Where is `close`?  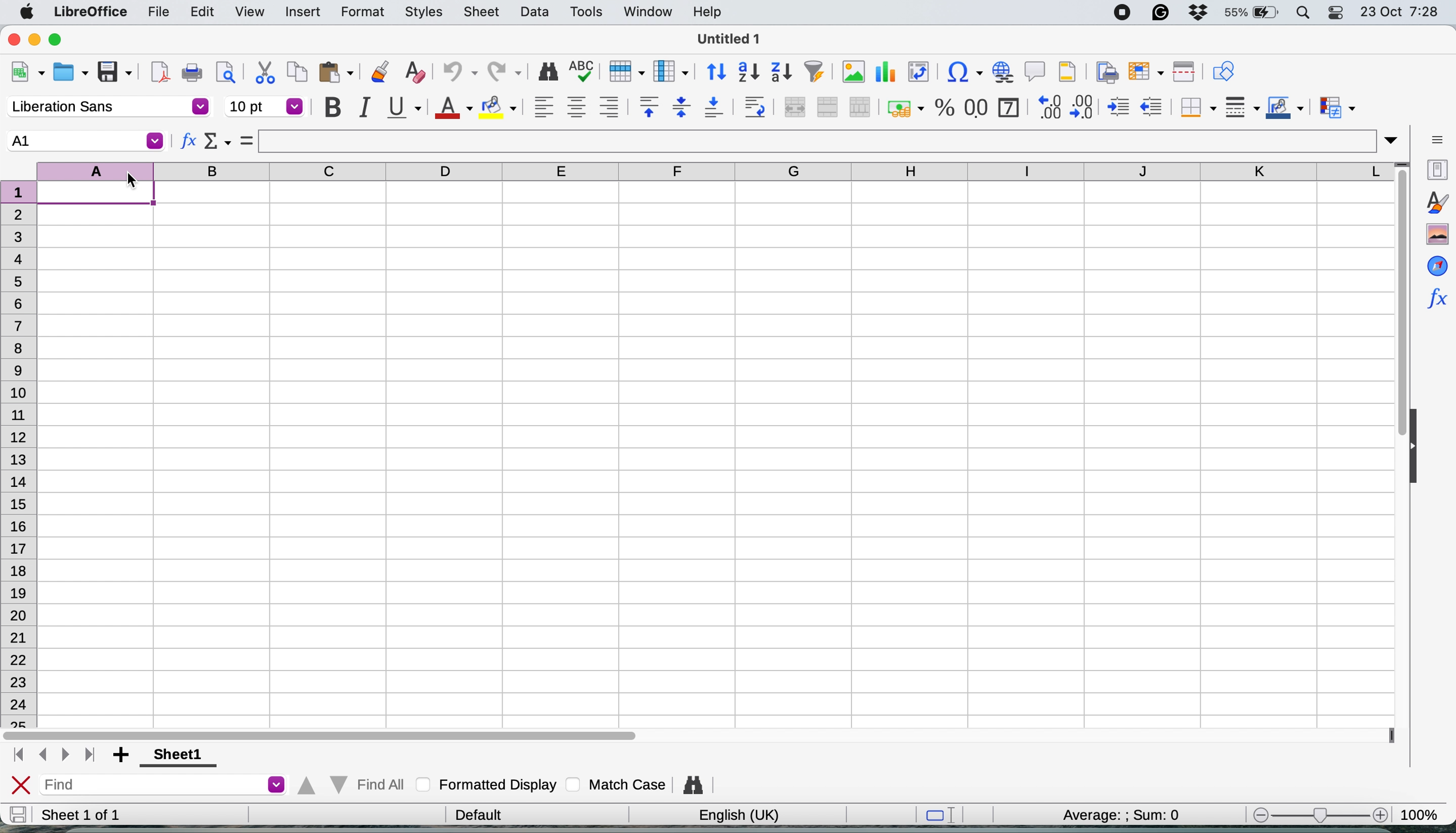
close is located at coordinates (11, 39).